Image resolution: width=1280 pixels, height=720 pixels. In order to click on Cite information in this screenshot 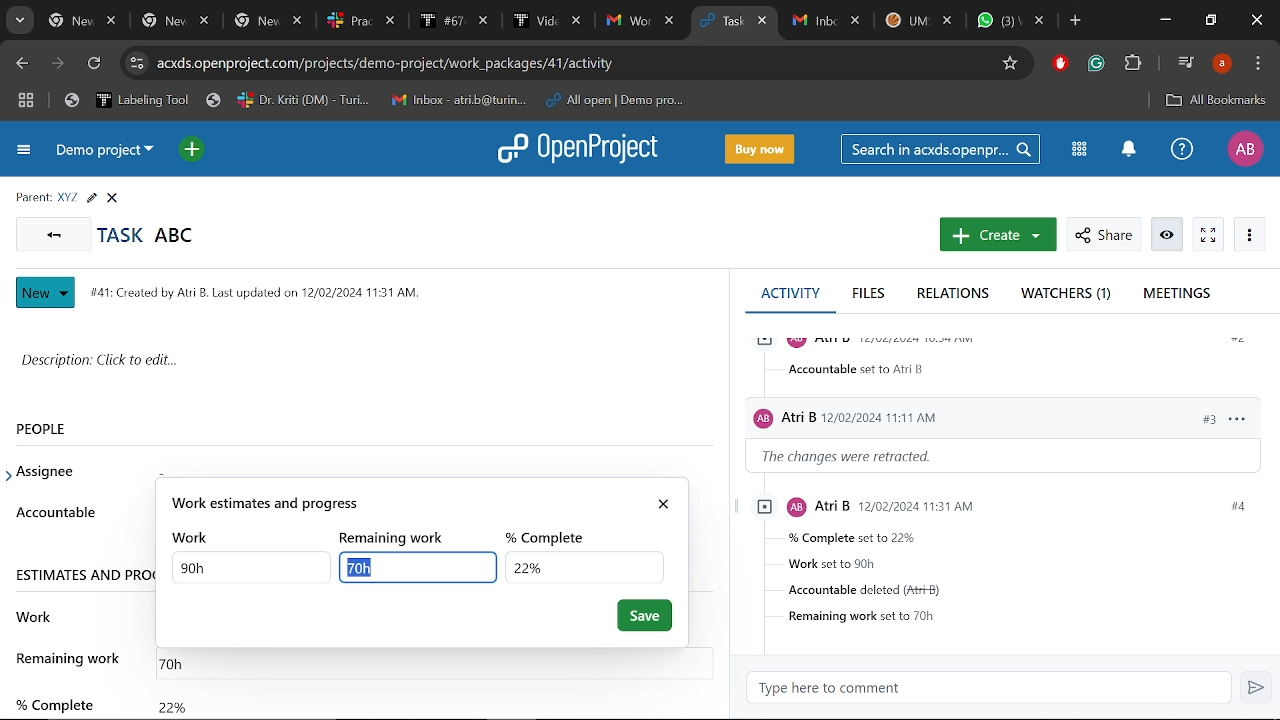, I will do `click(136, 63)`.